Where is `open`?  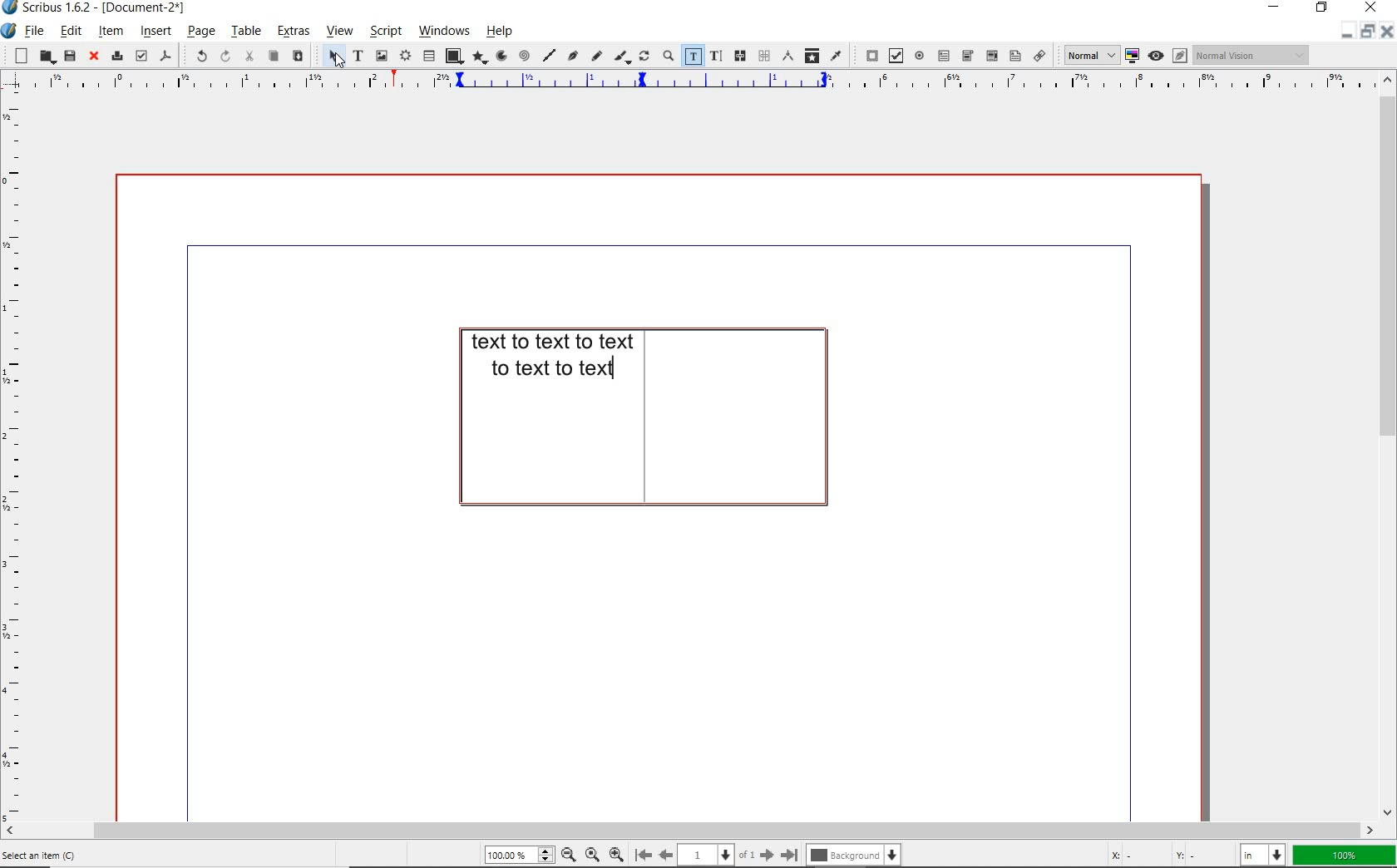 open is located at coordinates (46, 57).